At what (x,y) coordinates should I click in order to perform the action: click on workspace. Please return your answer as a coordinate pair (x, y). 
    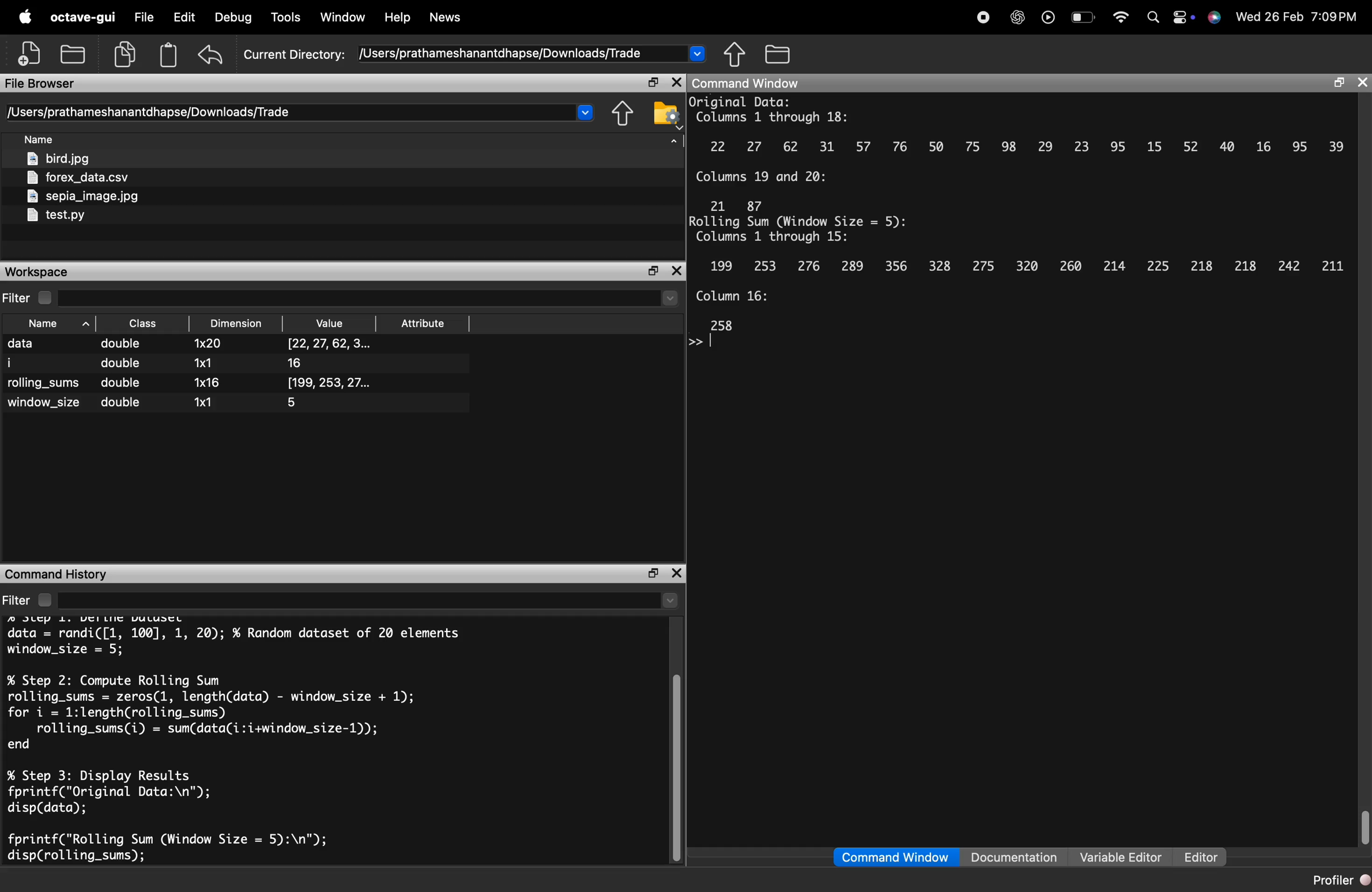
    Looking at the image, I should click on (57, 272).